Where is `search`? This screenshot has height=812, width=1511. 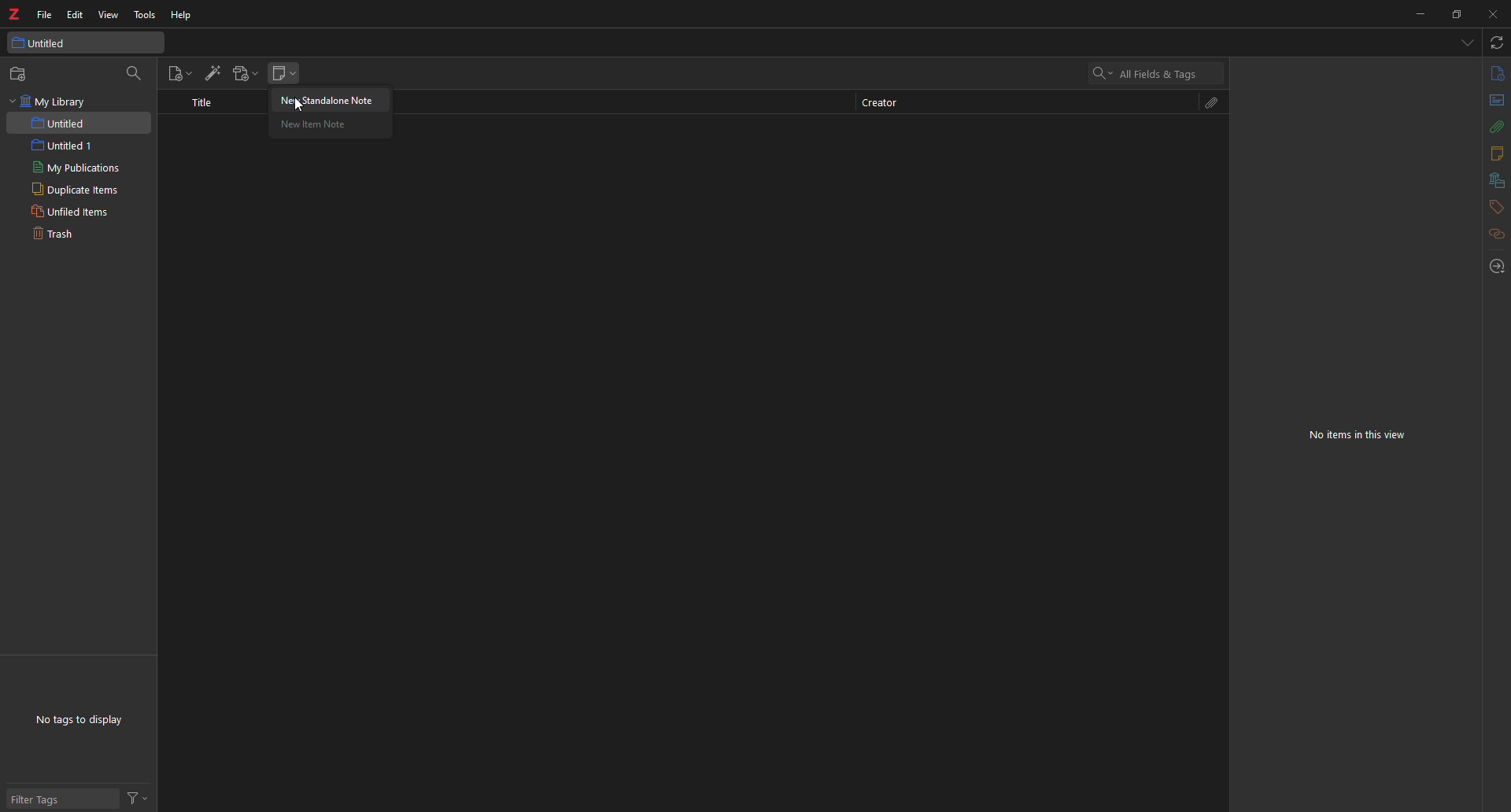 search is located at coordinates (135, 75).